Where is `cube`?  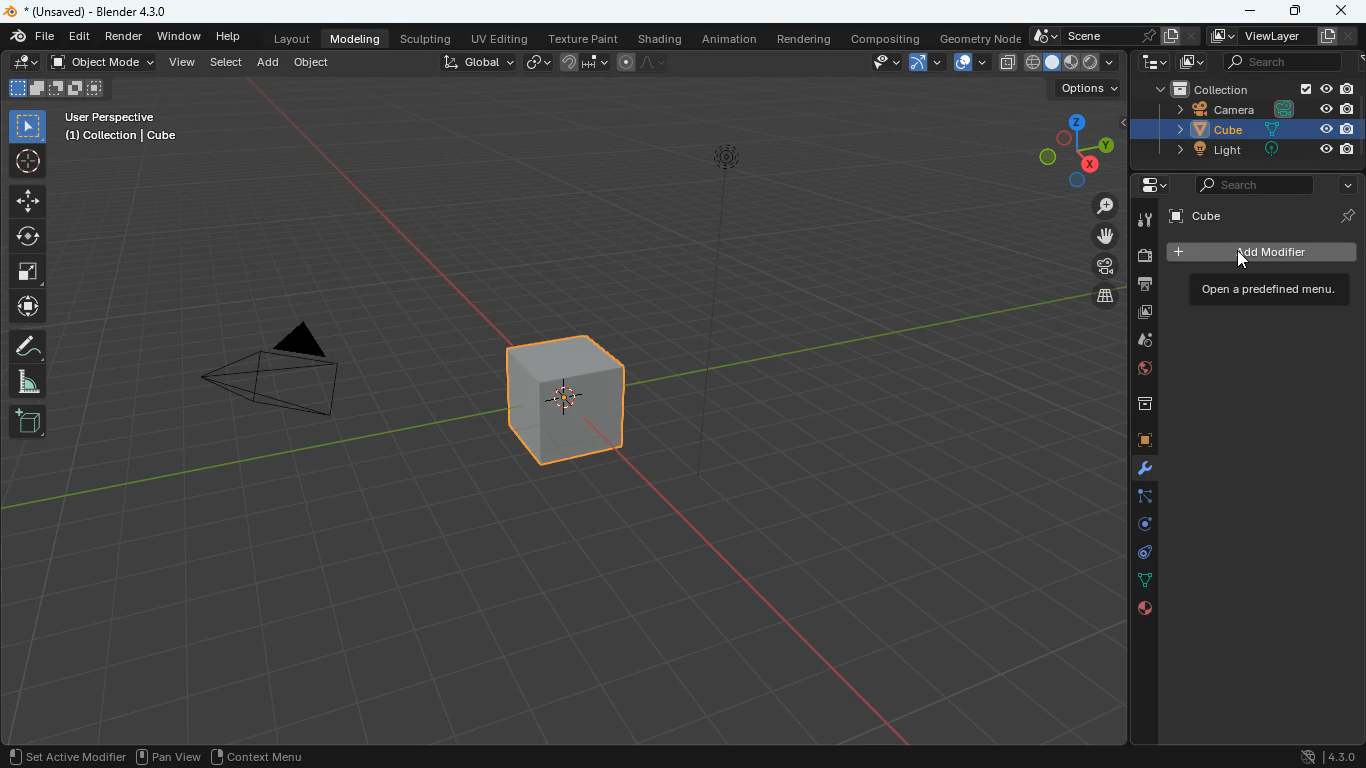
cube is located at coordinates (570, 413).